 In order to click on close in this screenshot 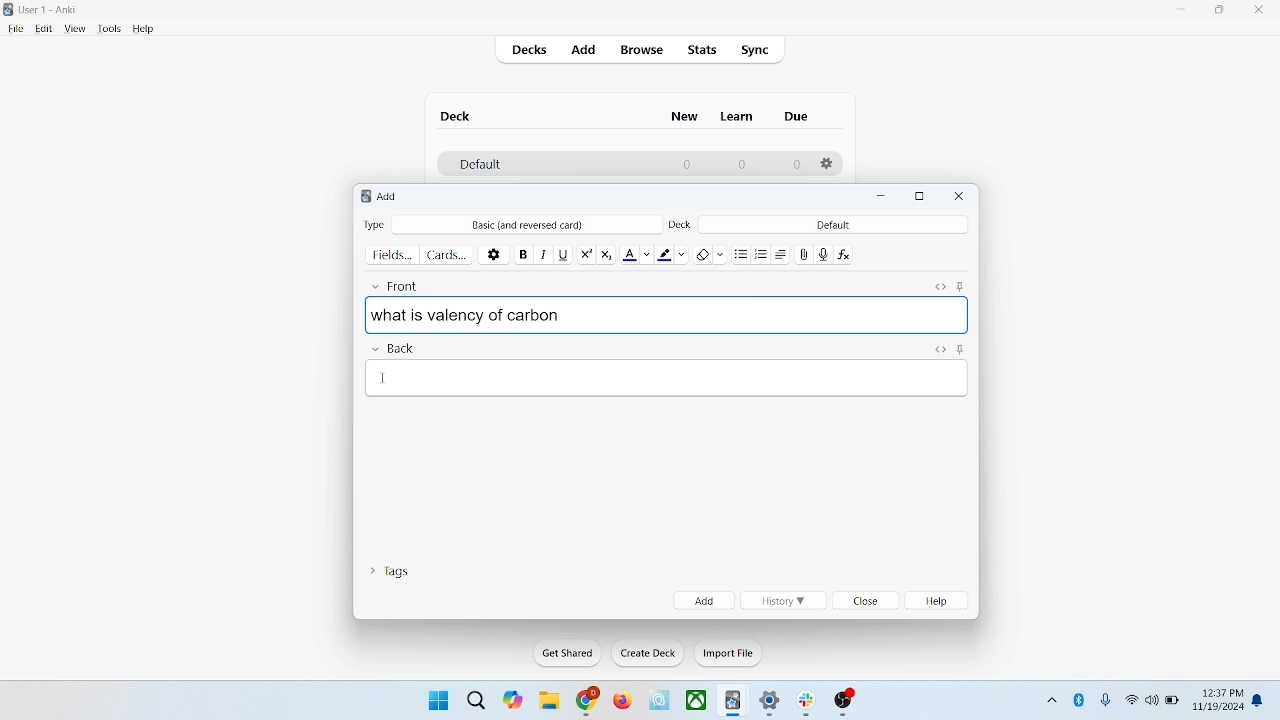, I will do `click(867, 602)`.